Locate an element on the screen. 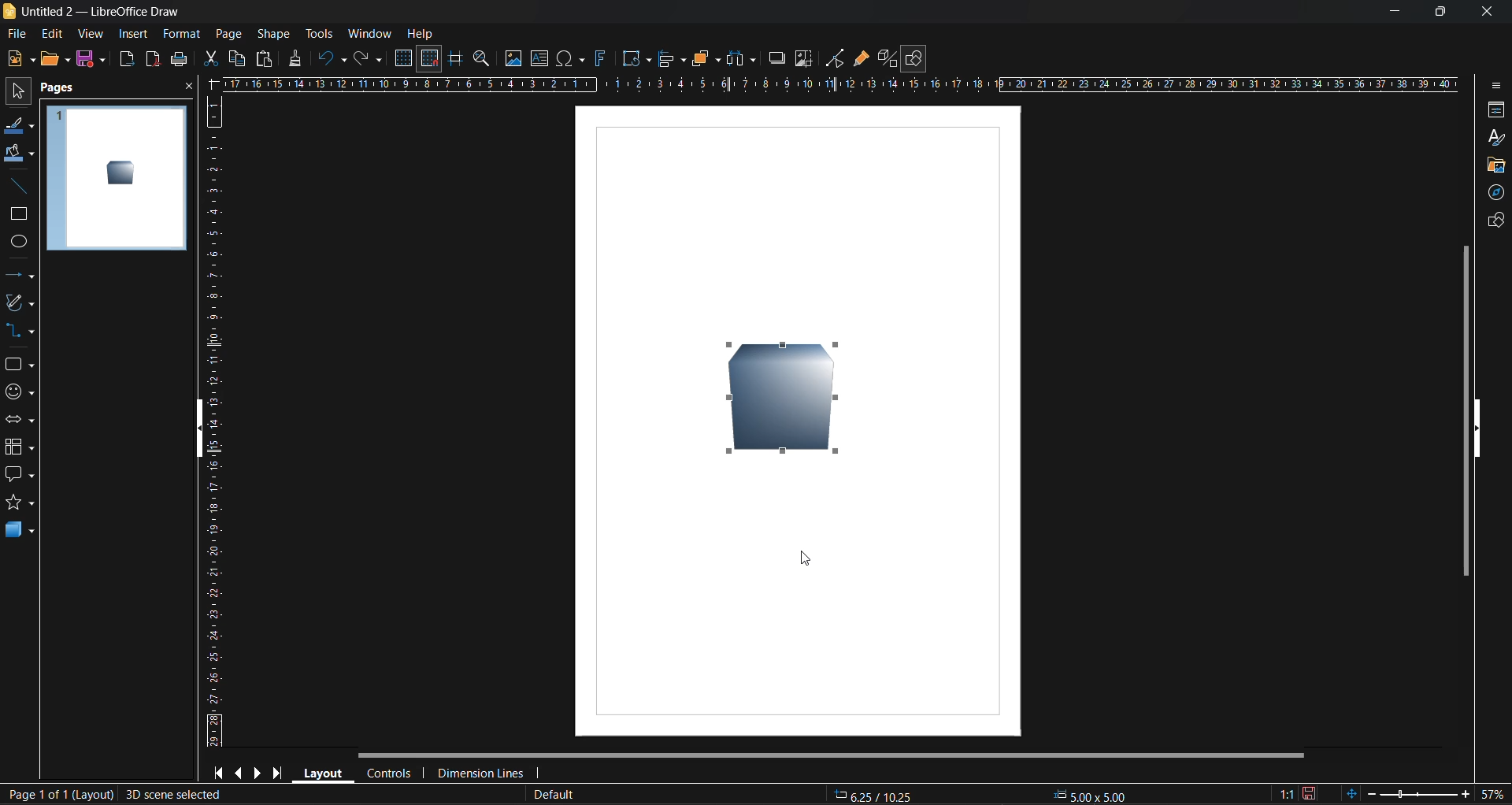 This screenshot has height=805, width=1512. shadow is located at coordinates (775, 57).